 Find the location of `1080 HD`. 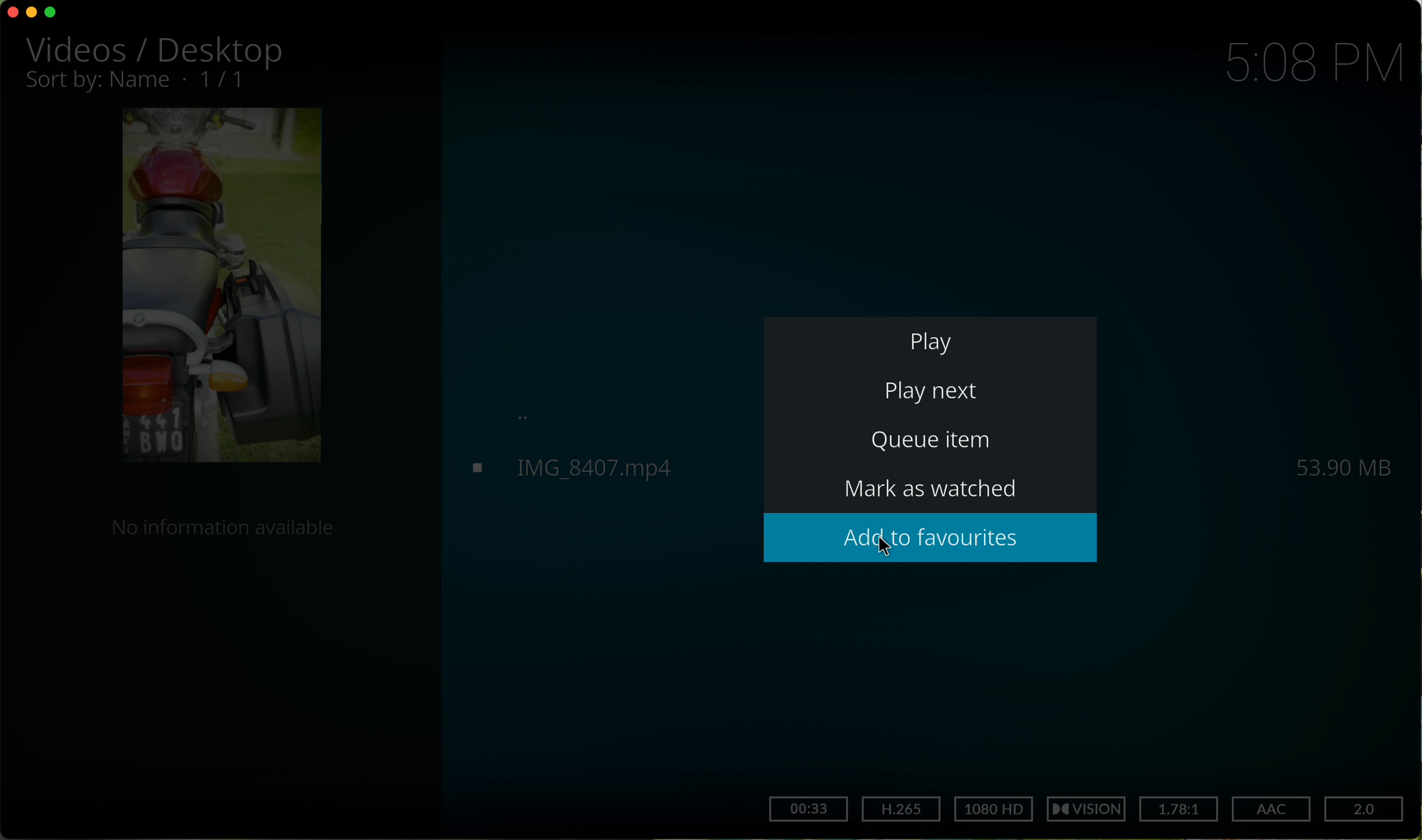

1080 HD is located at coordinates (993, 809).